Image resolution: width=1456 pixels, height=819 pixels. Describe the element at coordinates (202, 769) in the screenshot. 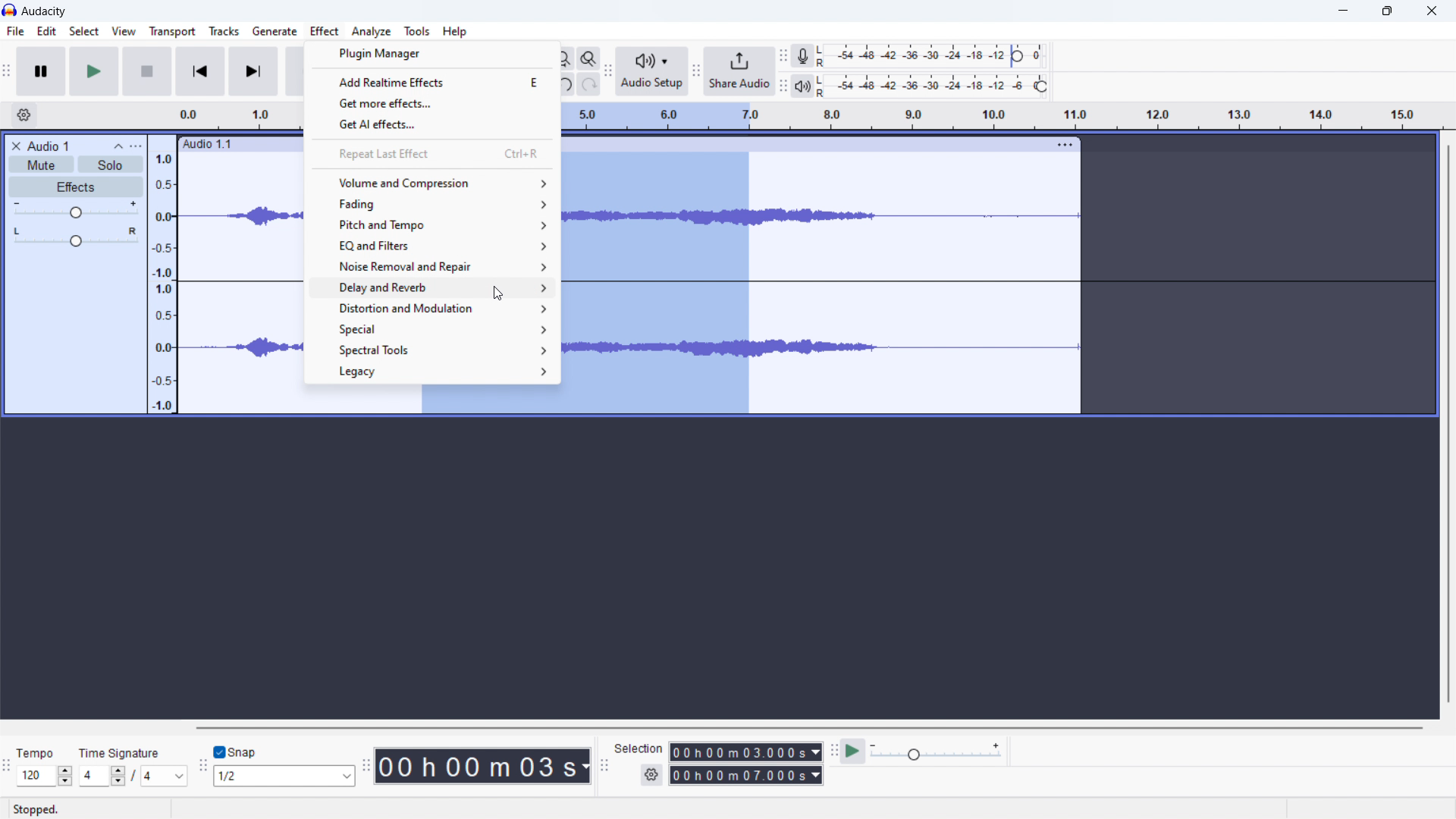

I see `snapping toolbar` at that location.